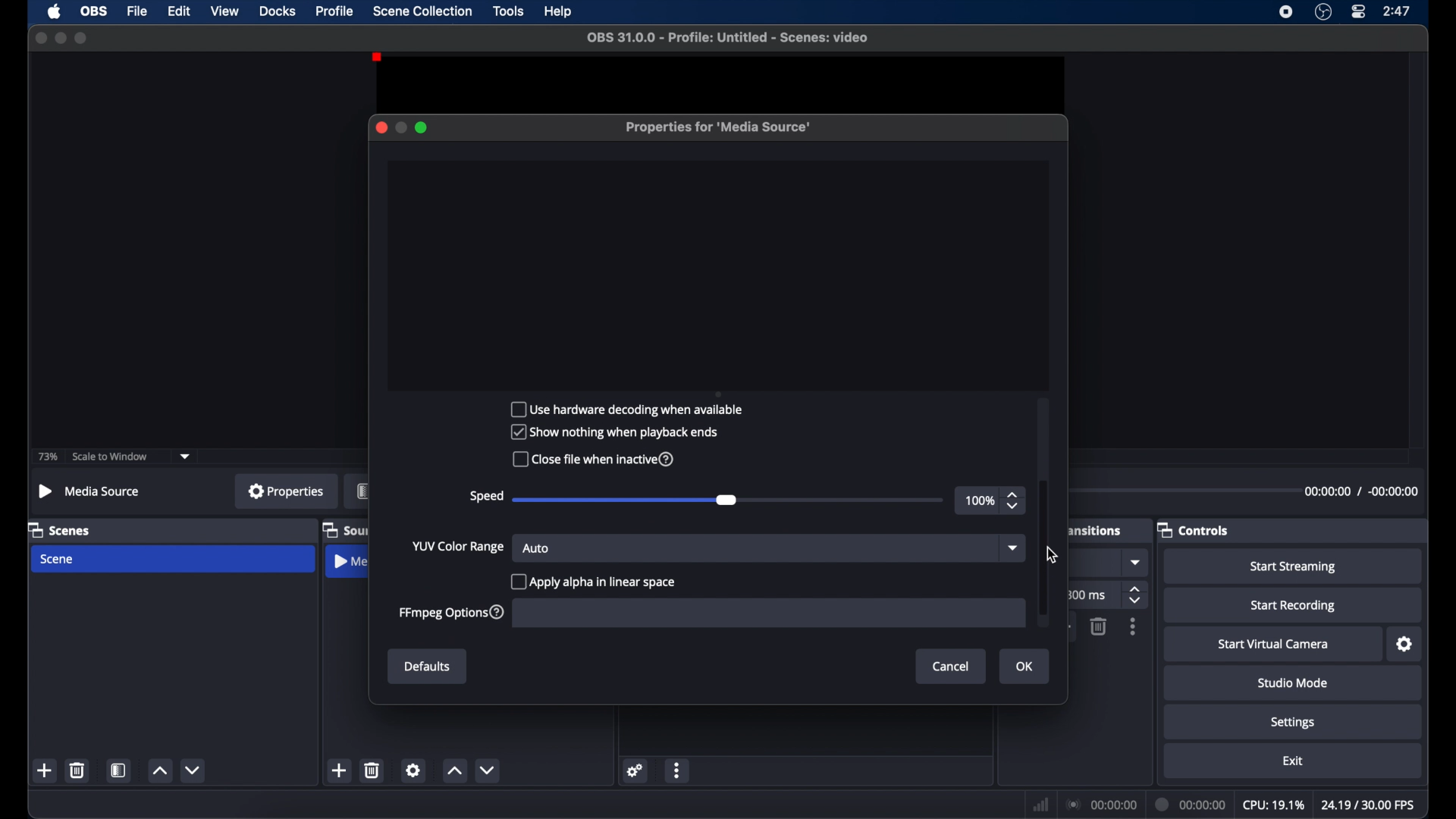 Image resolution: width=1456 pixels, height=819 pixels. What do you see at coordinates (618, 431) in the screenshot?
I see `Show nothing when playback ends` at bounding box center [618, 431].